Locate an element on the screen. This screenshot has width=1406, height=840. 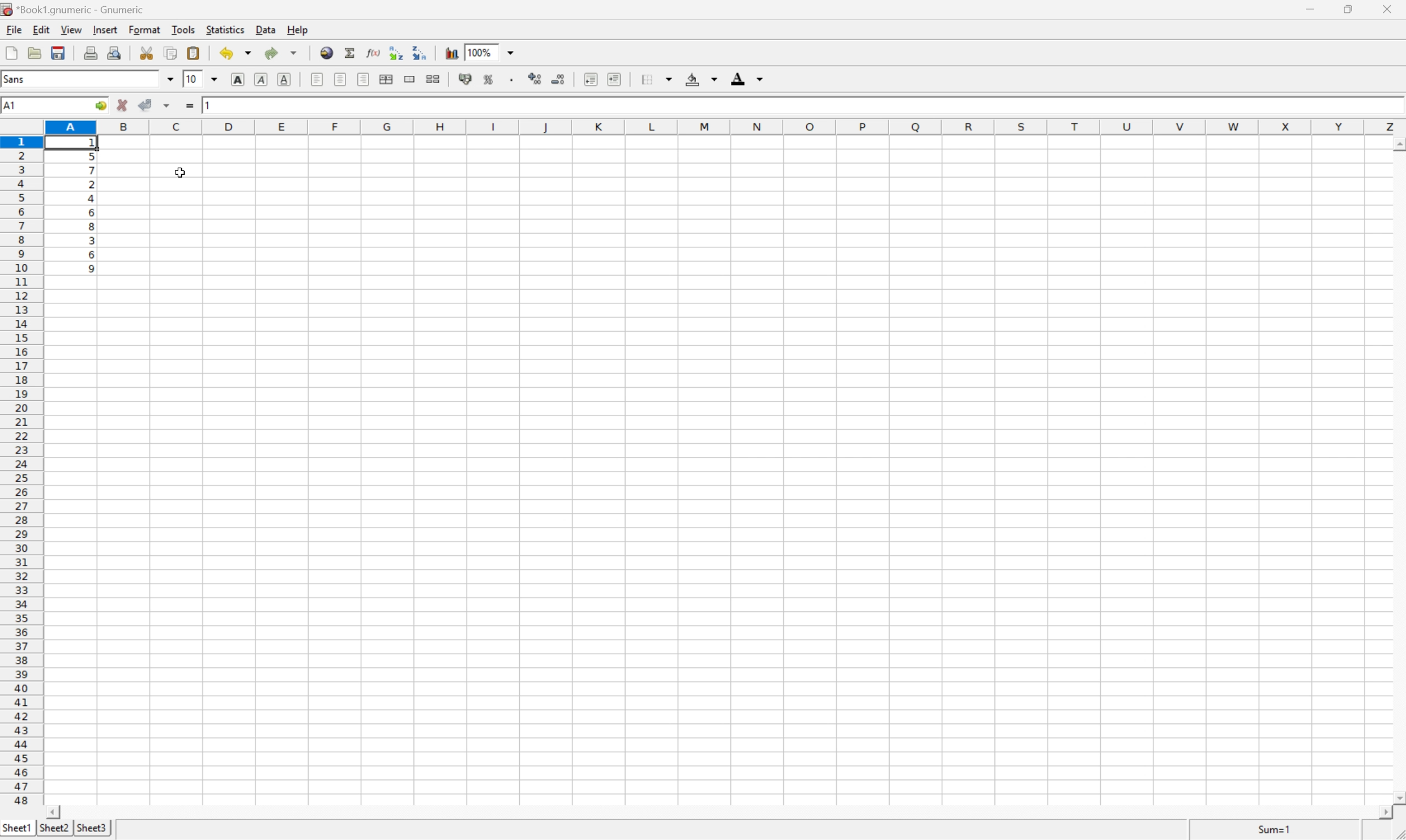
merge range of cells is located at coordinates (409, 78).